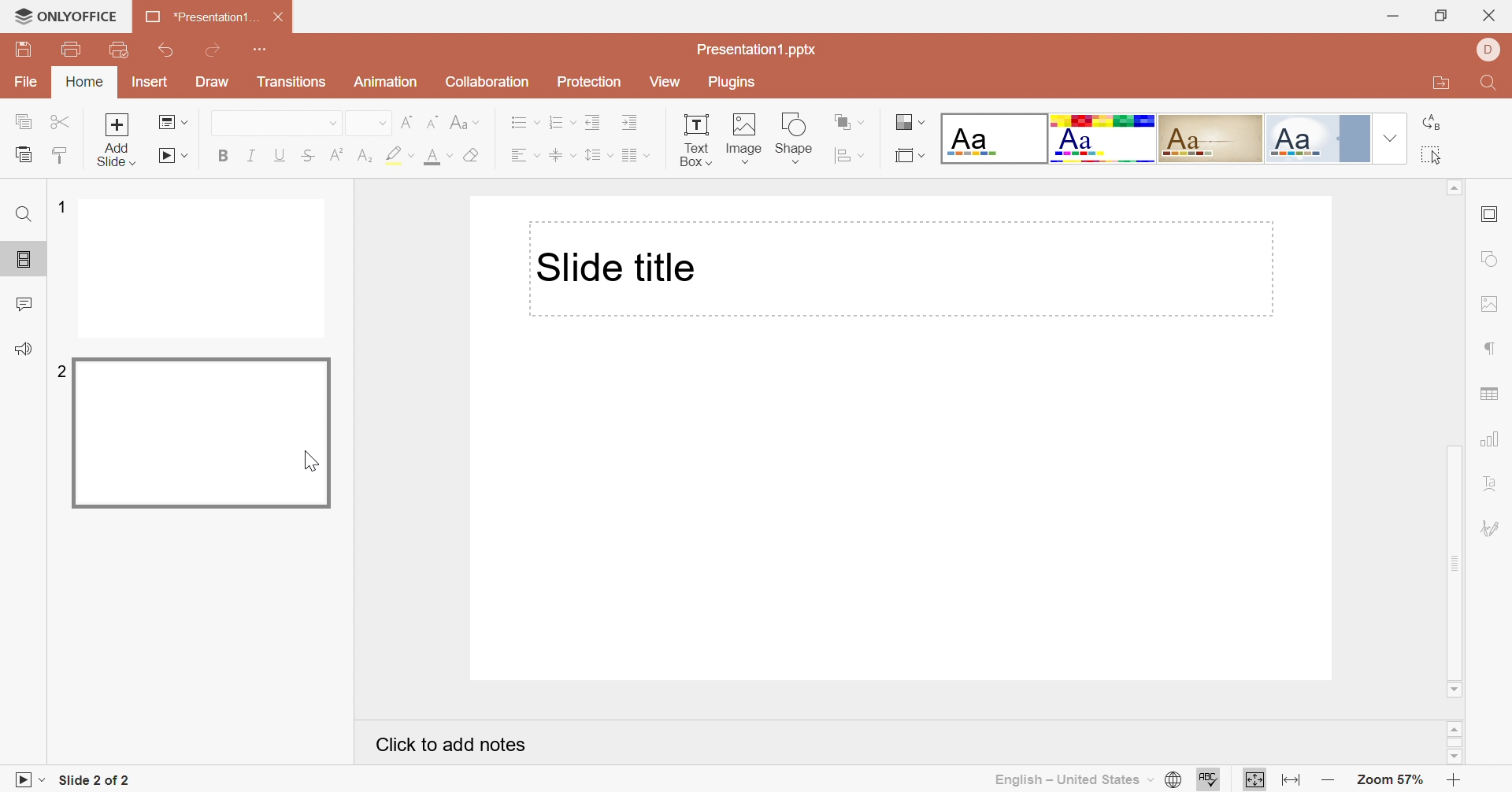  Describe the element at coordinates (1440, 18) in the screenshot. I see `Restore Down` at that location.